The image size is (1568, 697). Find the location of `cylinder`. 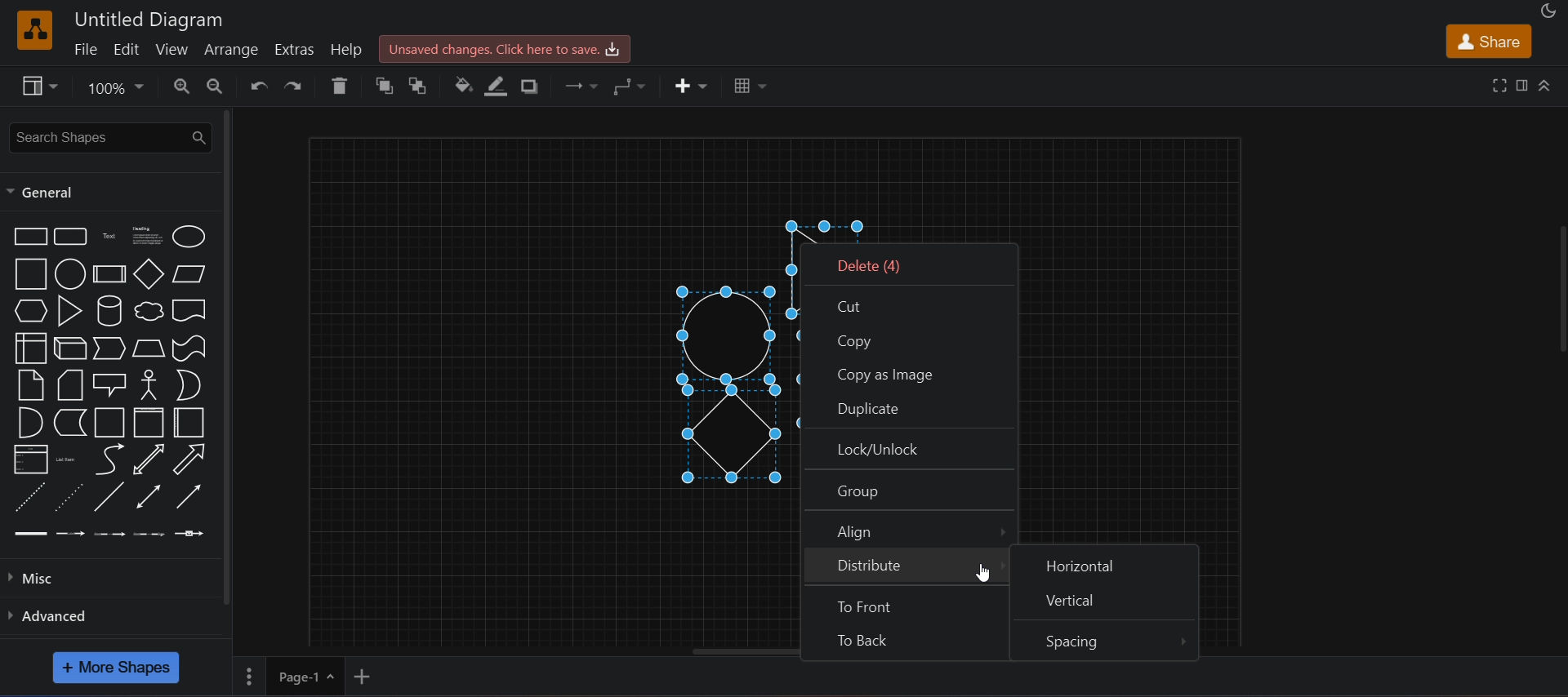

cylinder is located at coordinates (110, 311).